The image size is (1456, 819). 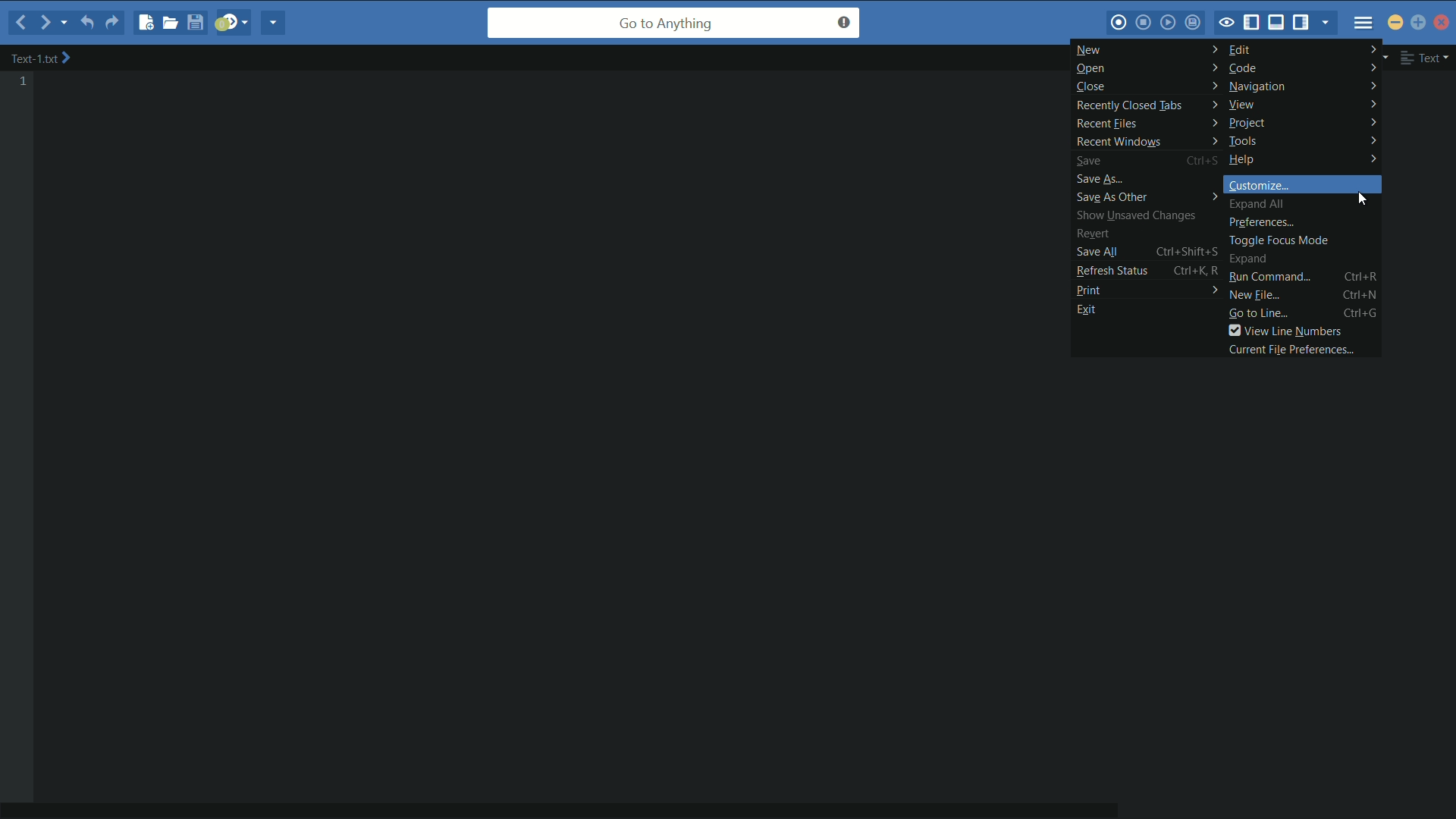 What do you see at coordinates (44, 20) in the screenshot?
I see `forward` at bounding box center [44, 20].